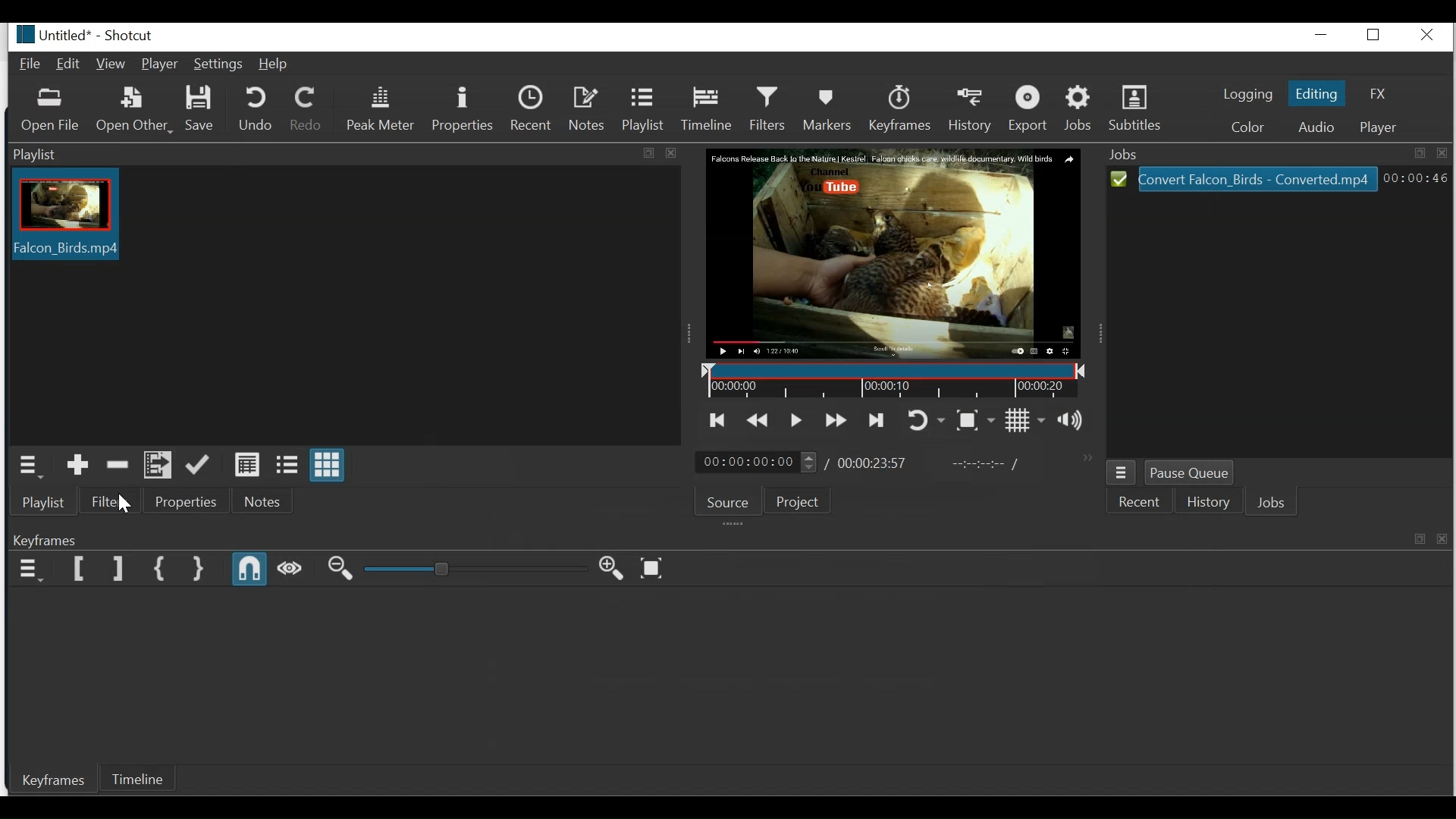  I want to click on Add to the playlist, so click(78, 465).